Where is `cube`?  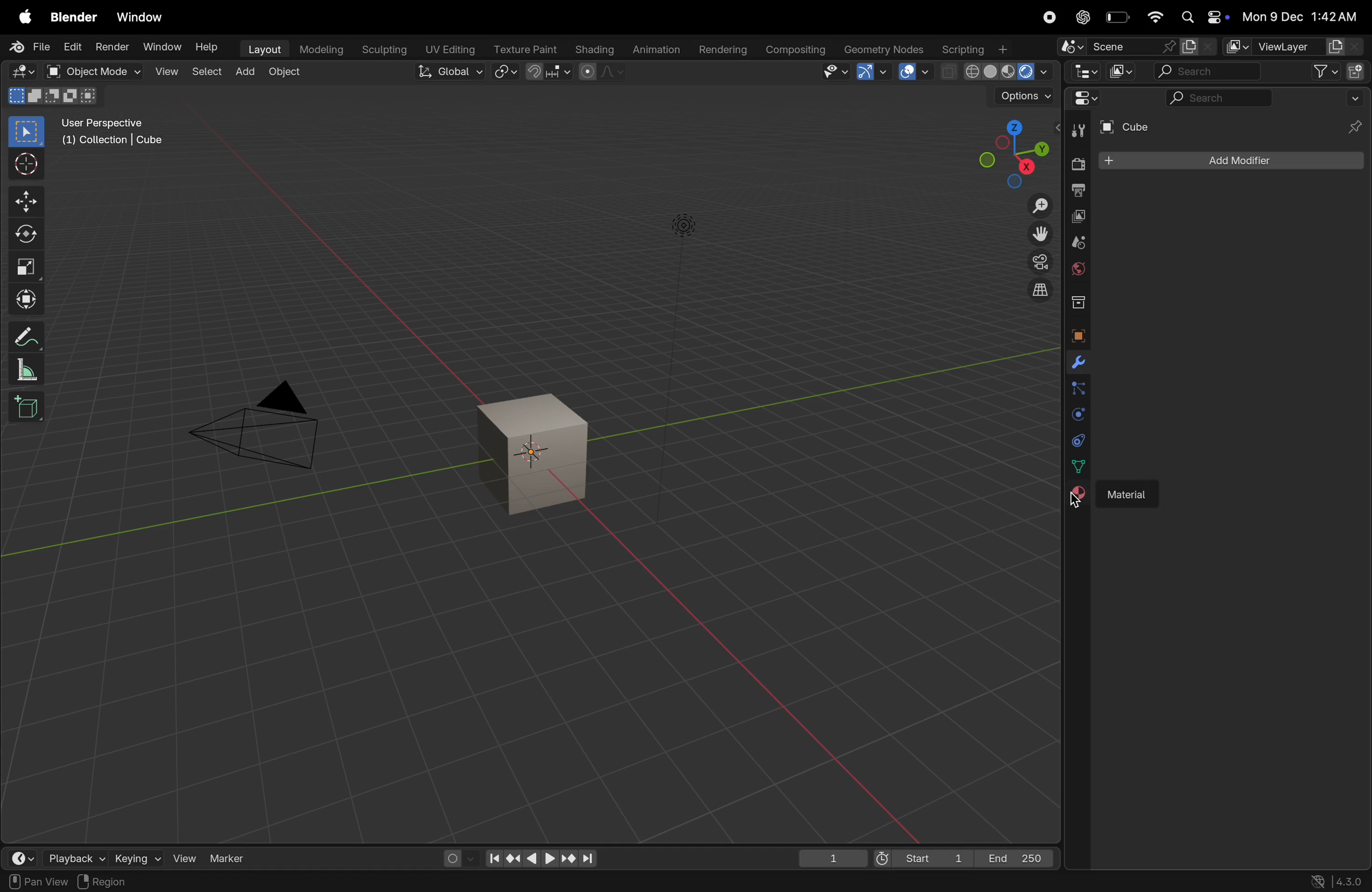
cube is located at coordinates (536, 455).